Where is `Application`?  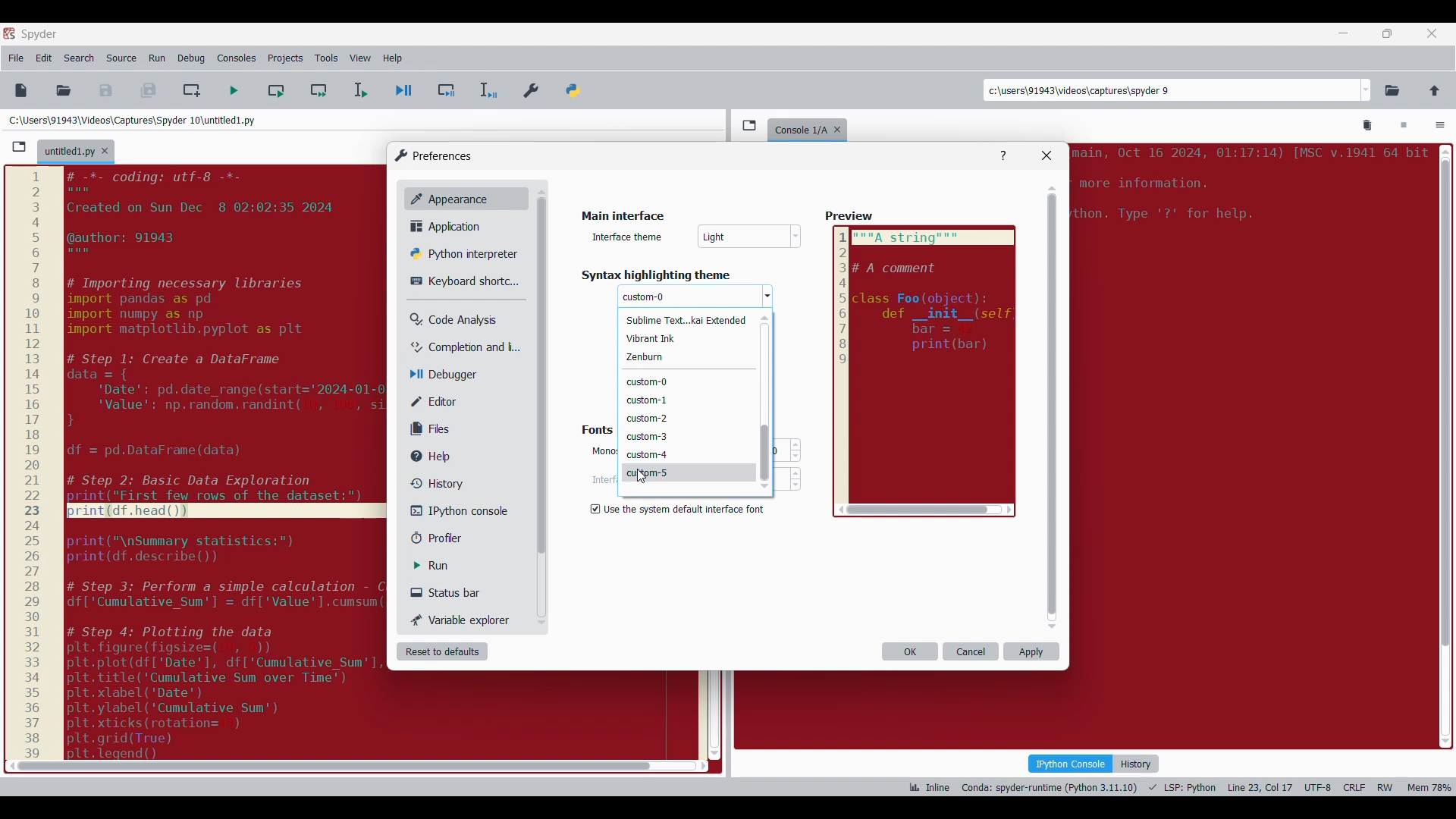 Application is located at coordinates (450, 226).